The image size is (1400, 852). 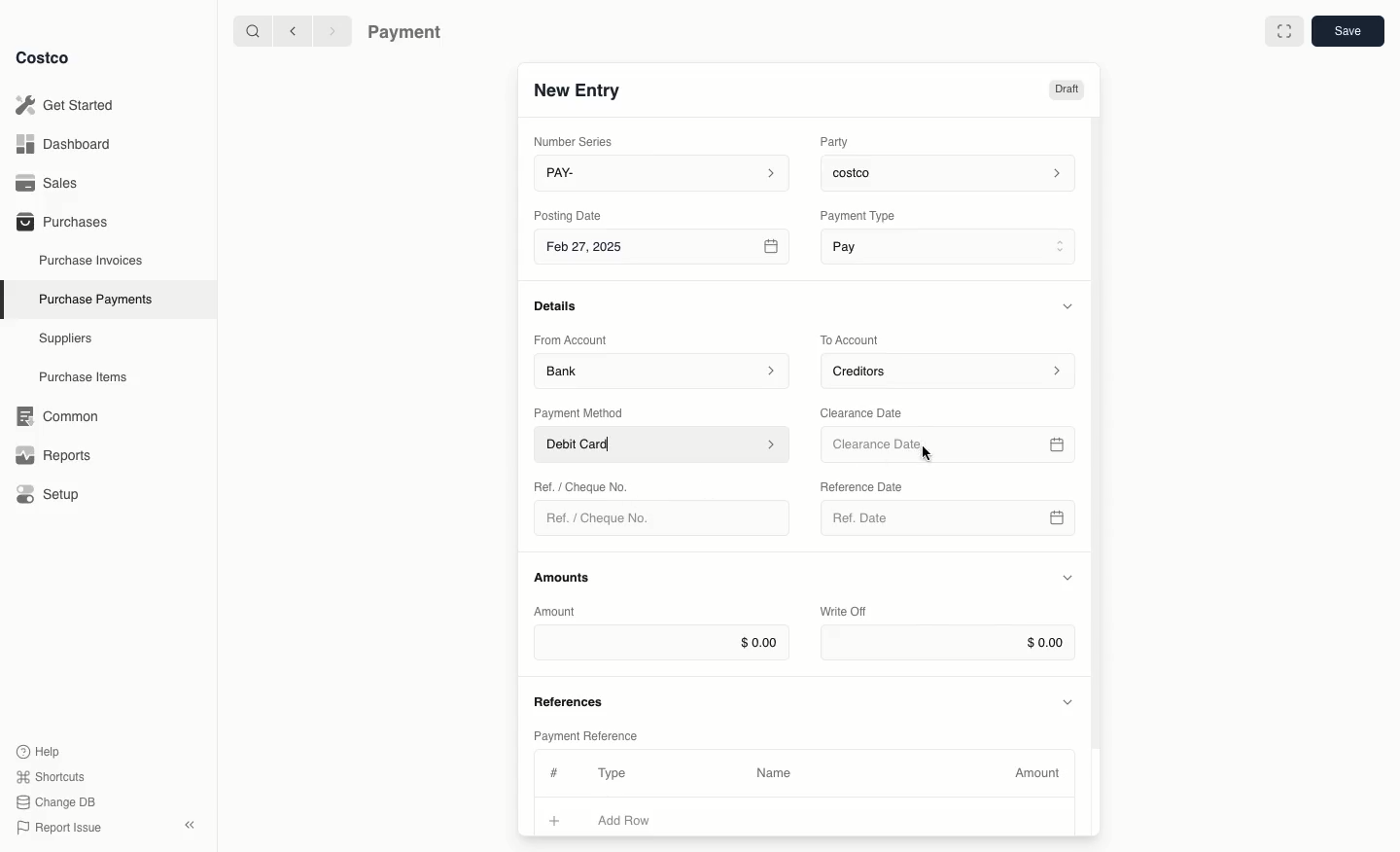 What do you see at coordinates (1069, 700) in the screenshot?
I see `Hide` at bounding box center [1069, 700].